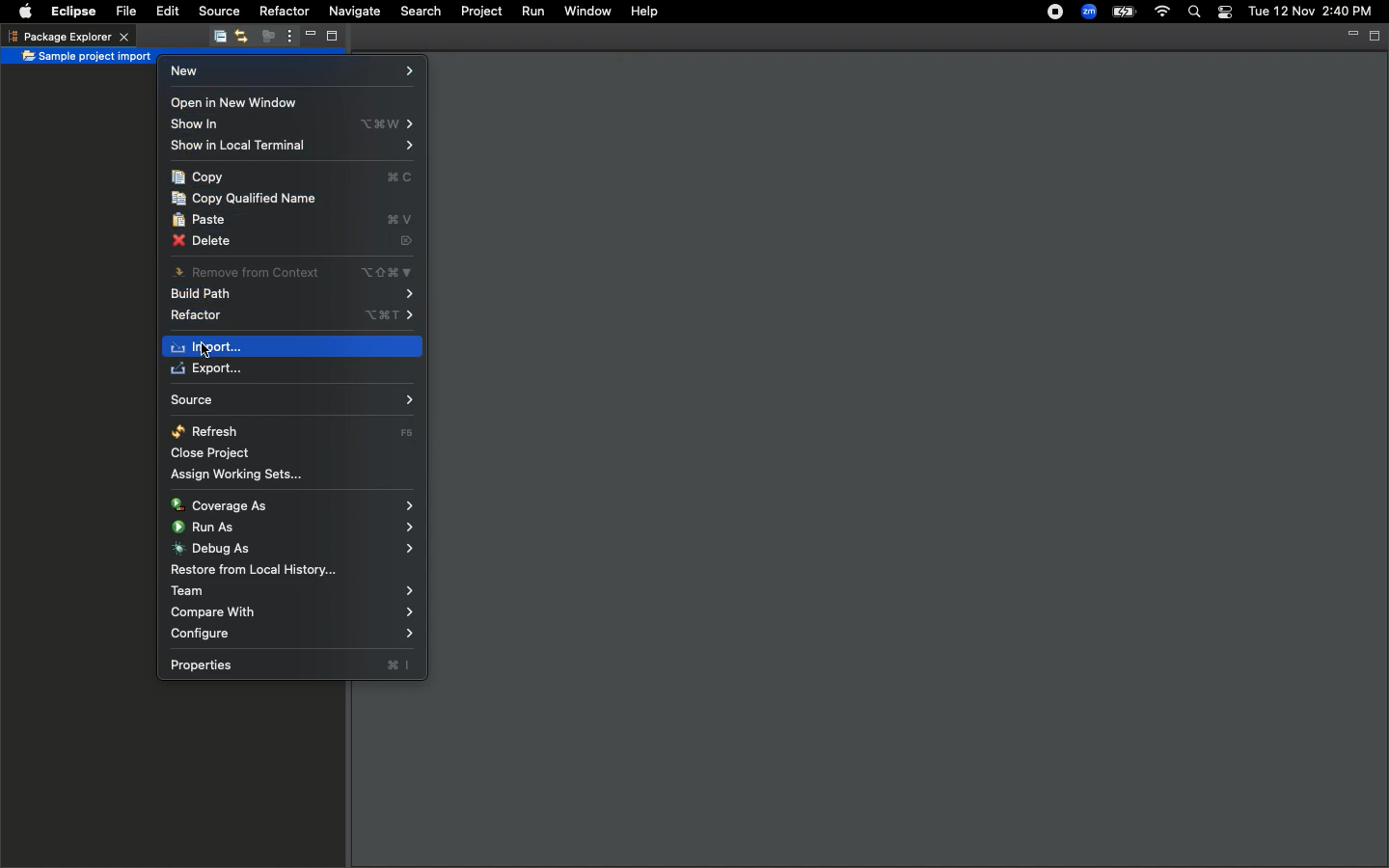 Image resolution: width=1389 pixels, height=868 pixels. What do you see at coordinates (76, 12) in the screenshot?
I see `Eclipse` at bounding box center [76, 12].